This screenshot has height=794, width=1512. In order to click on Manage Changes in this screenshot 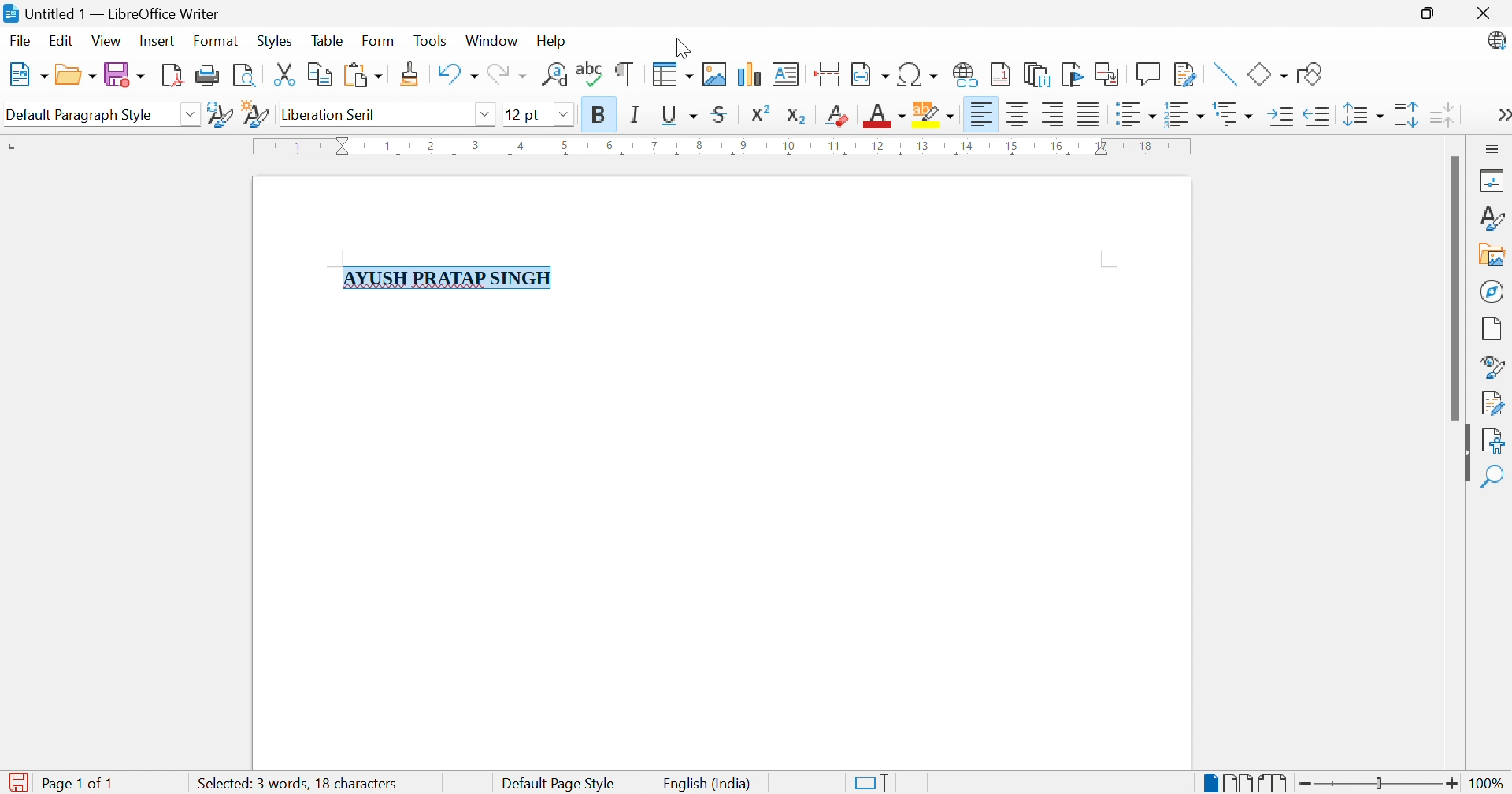, I will do `click(1494, 402)`.